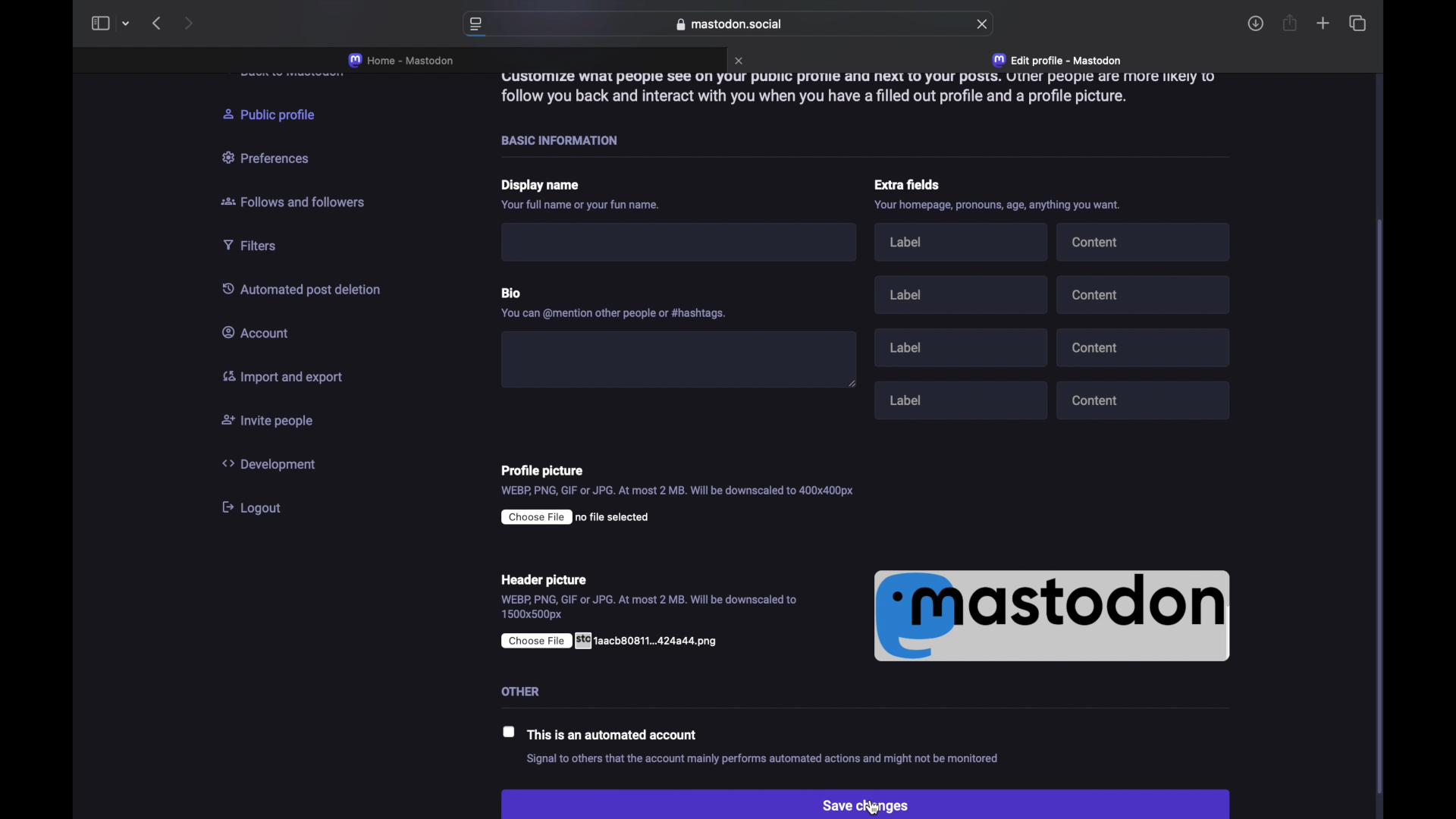 This screenshot has width=1456, height=819. What do you see at coordinates (679, 359) in the screenshot?
I see `blank box` at bounding box center [679, 359].